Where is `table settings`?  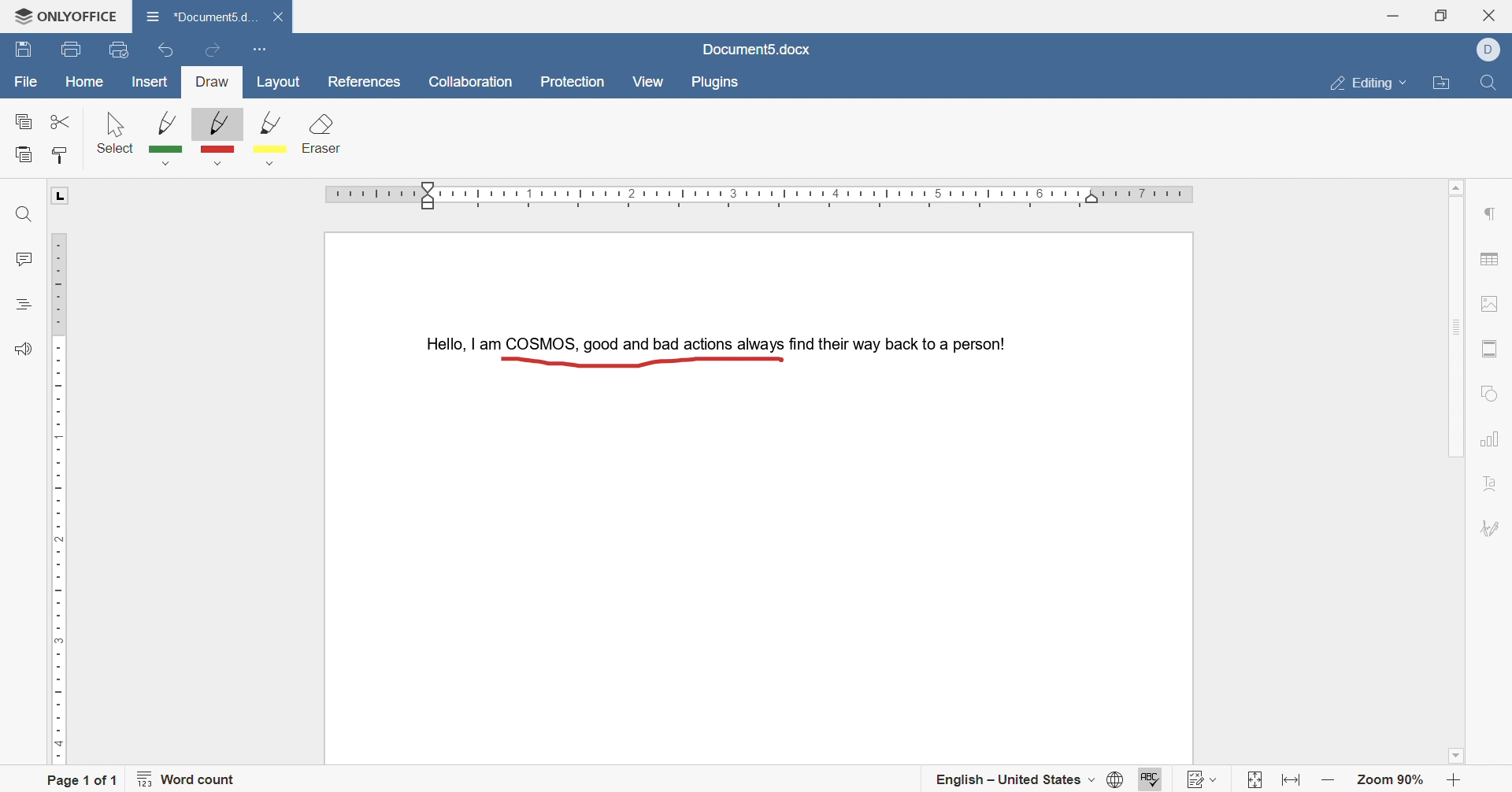 table settings is located at coordinates (1492, 261).